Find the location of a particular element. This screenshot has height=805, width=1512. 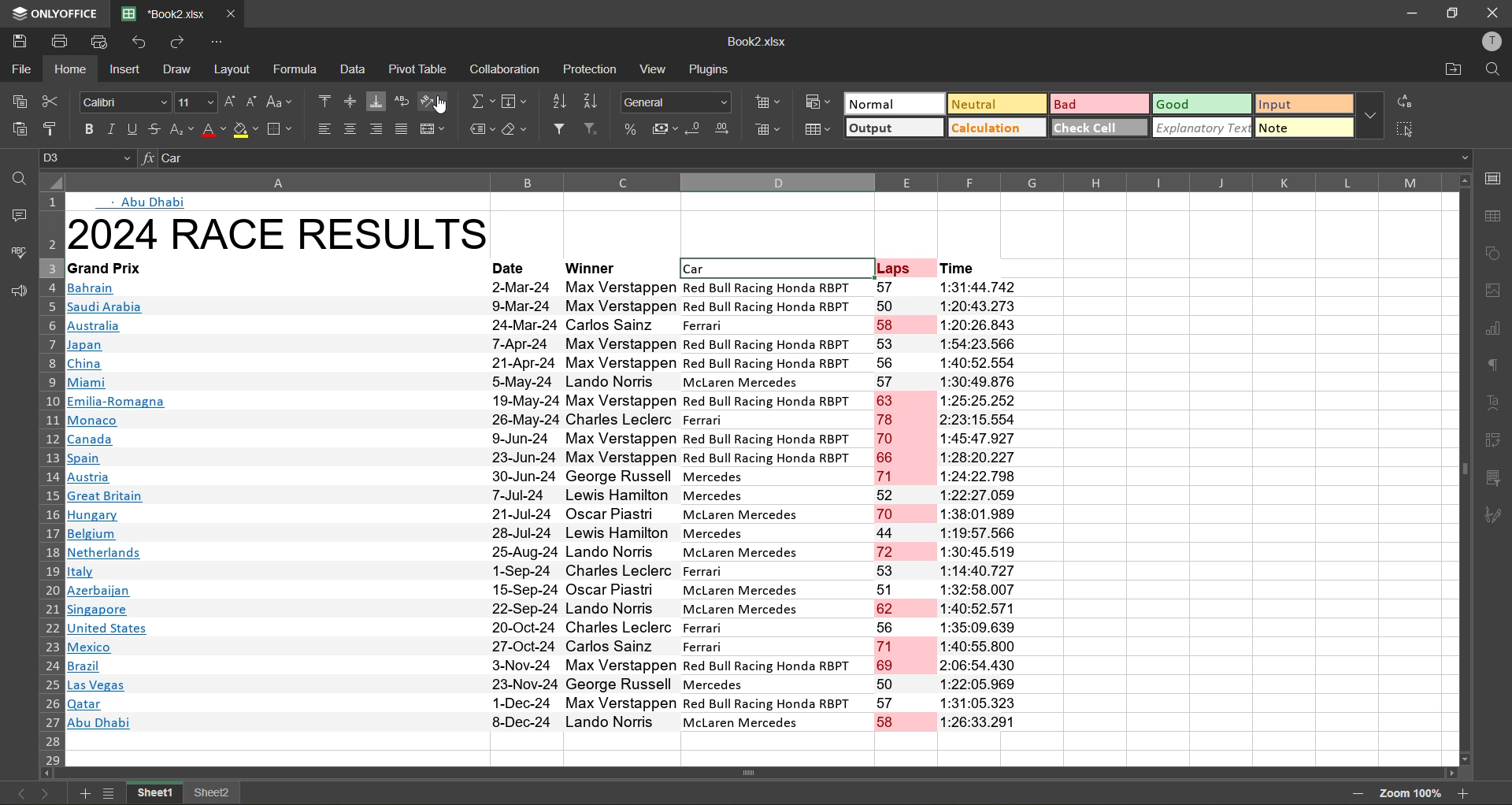

sheet 1 is located at coordinates (155, 793).